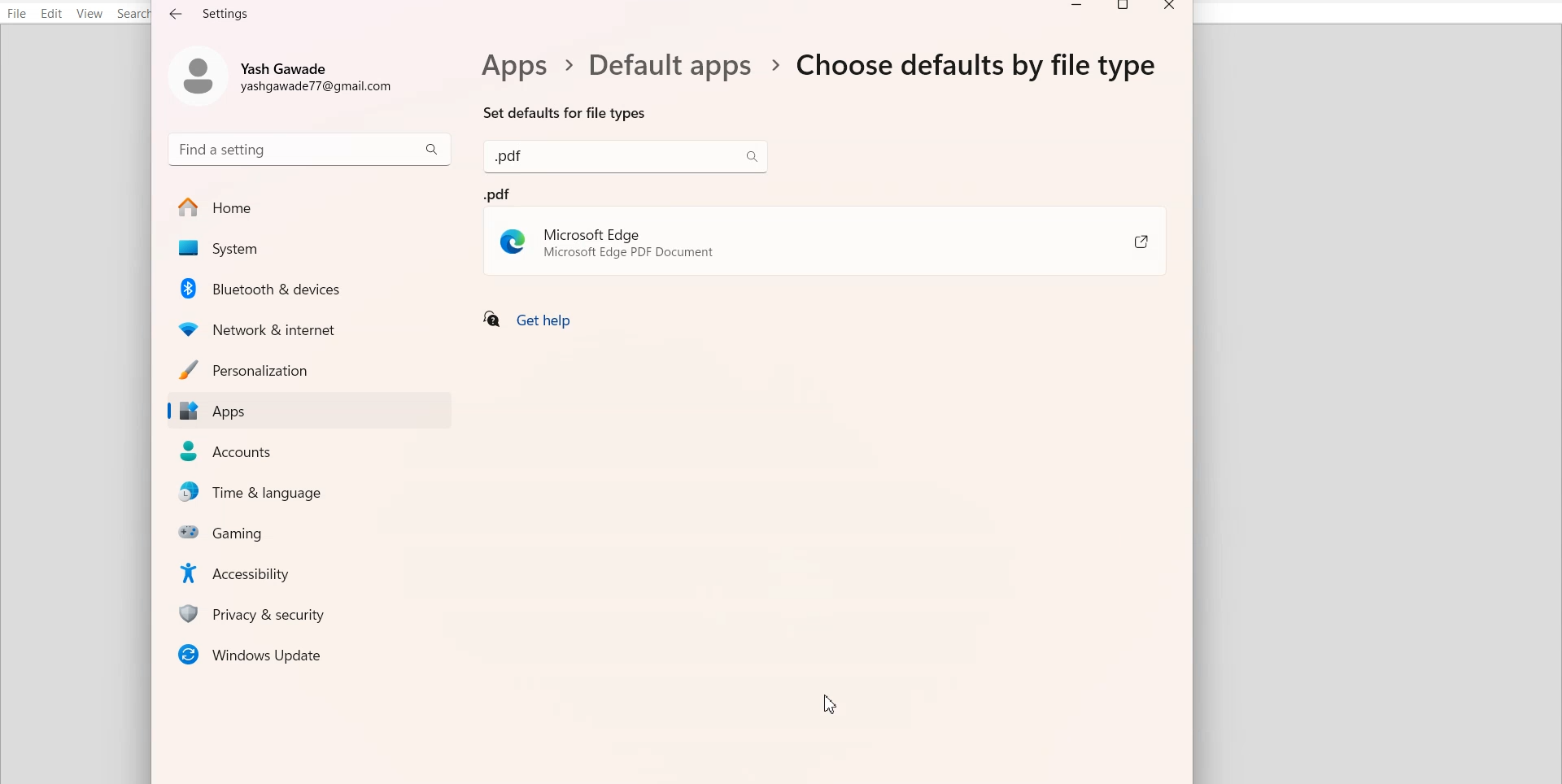 The width and height of the screenshot is (1562, 784). Describe the element at coordinates (836, 250) in the screenshot. I see `Microsoft Edge` at that location.